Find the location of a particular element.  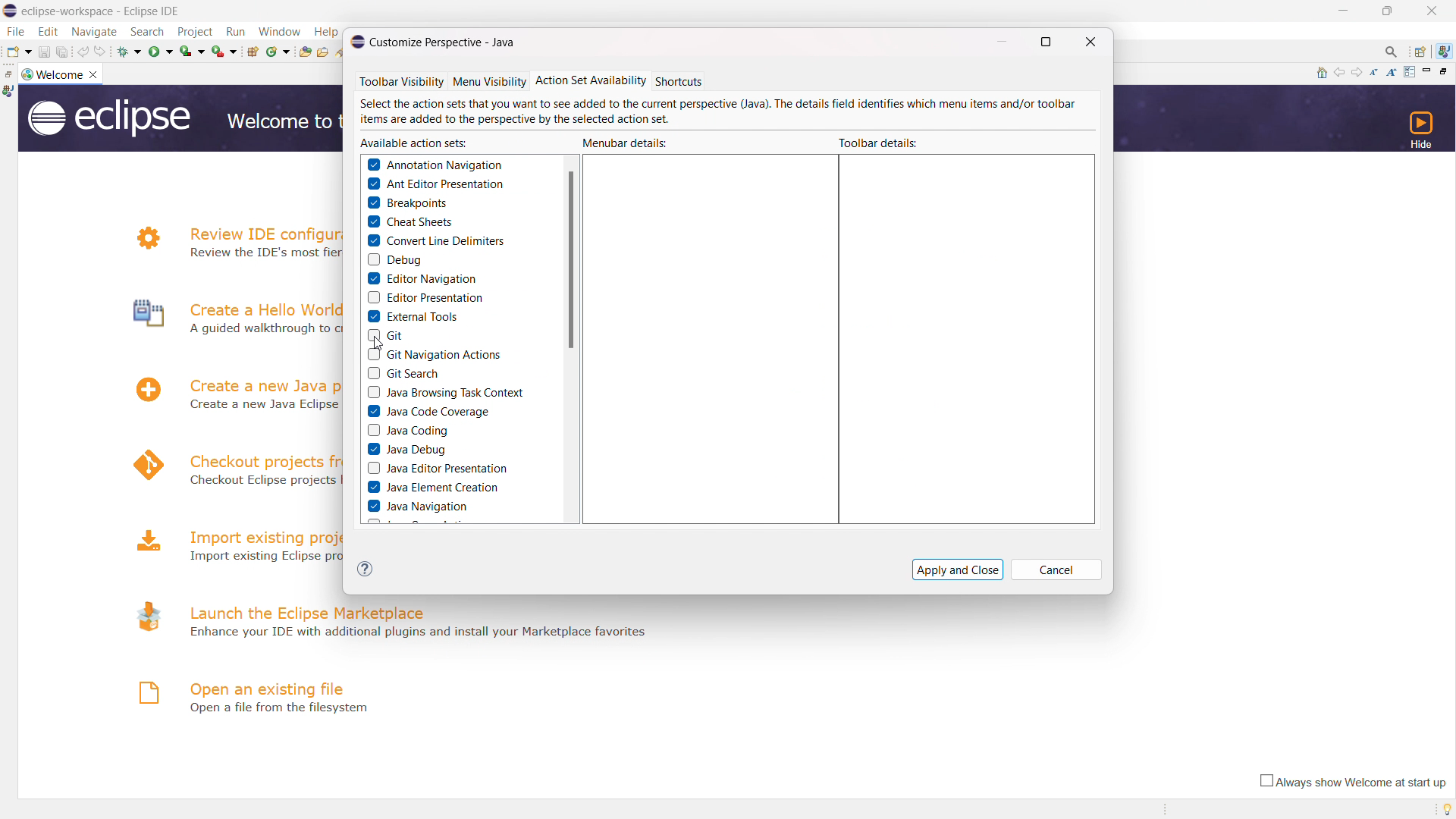

navigate to next topic is located at coordinates (1358, 73).